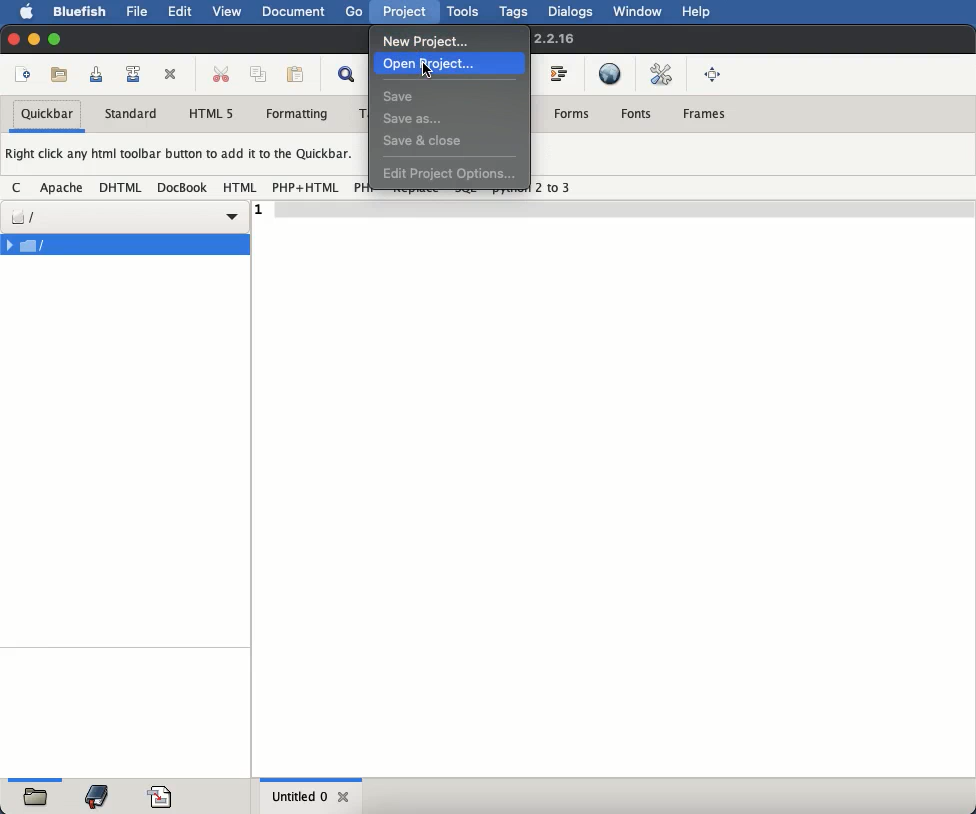 The height and width of the screenshot is (814, 976). What do you see at coordinates (572, 114) in the screenshot?
I see `forms` at bounding box center [572, 114].